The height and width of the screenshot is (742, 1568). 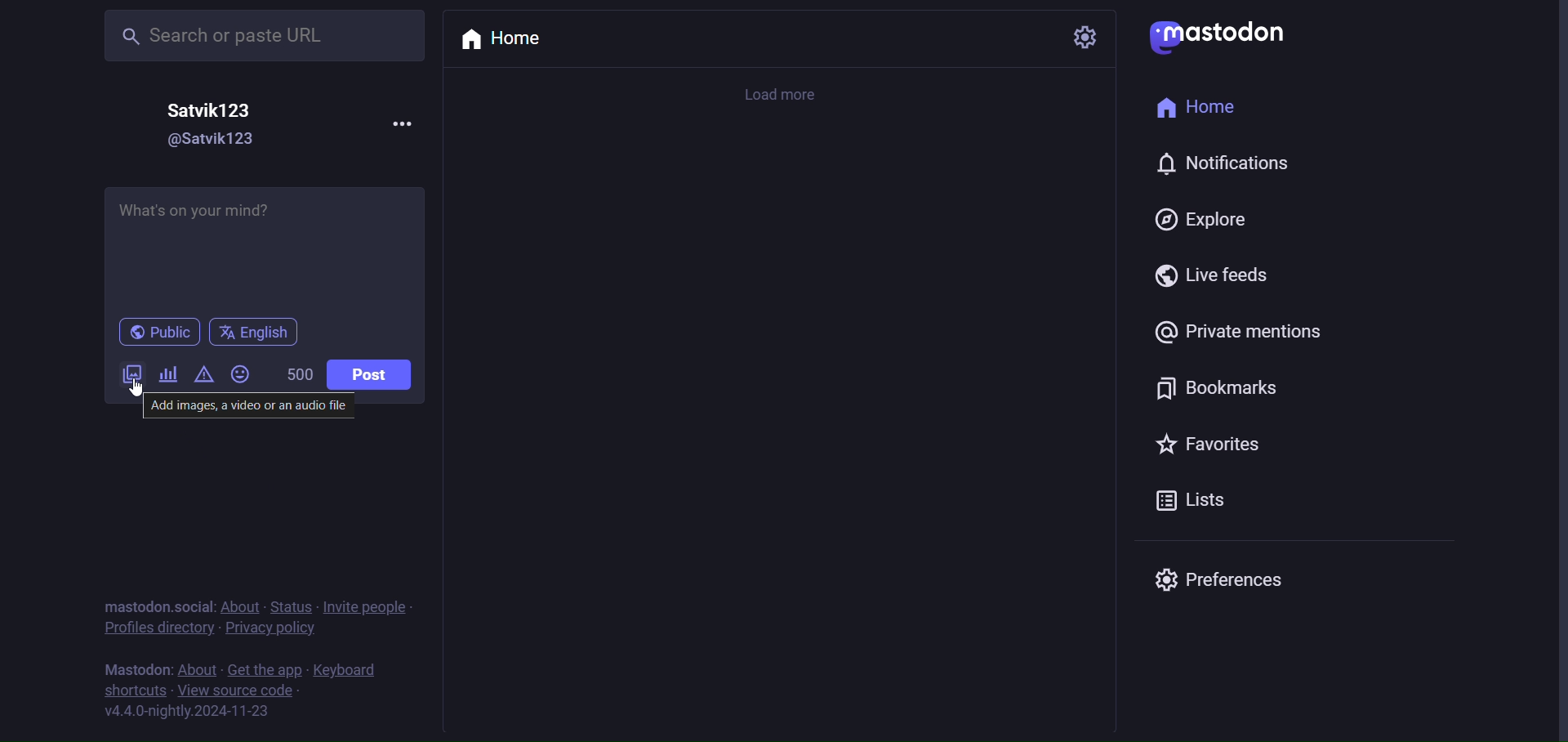 What do you see at coordinates (133, 606) in the screenshot?
I see `mastodon` at bounding box center [133, 606].